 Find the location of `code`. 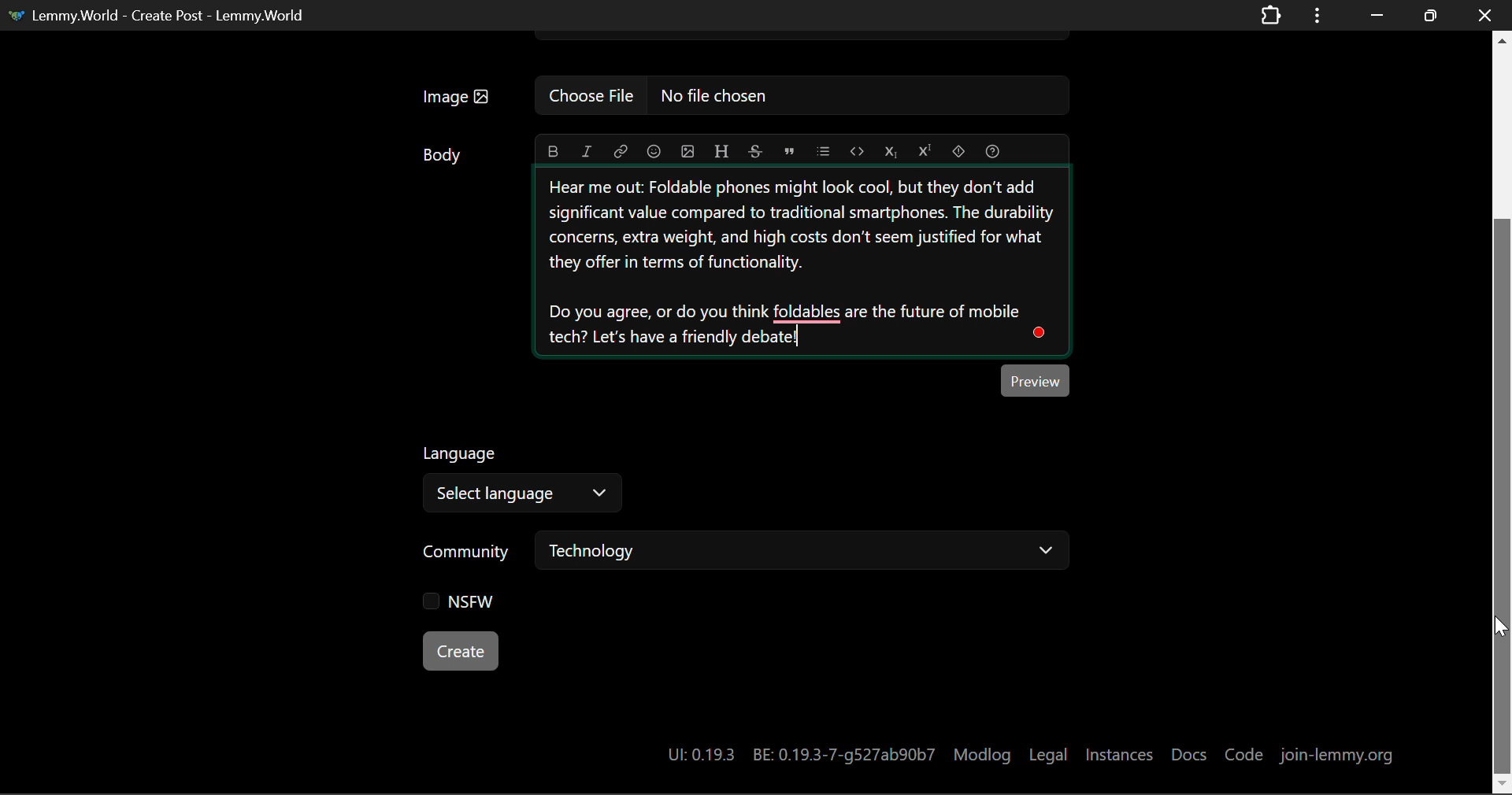

code is located at coordinates (856, 150).